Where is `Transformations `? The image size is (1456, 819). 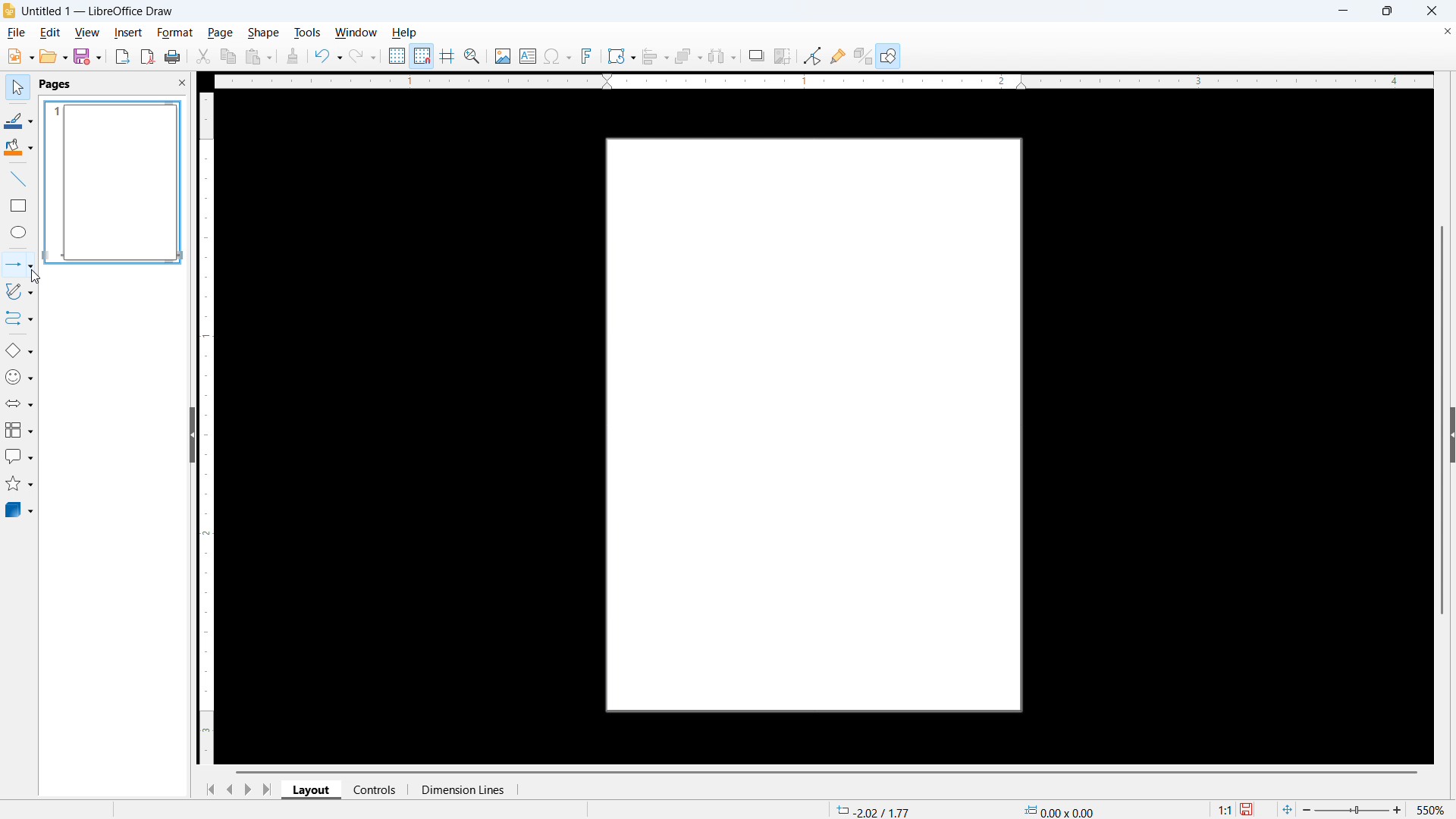
Transformations  is located at coordinates (621, 57).